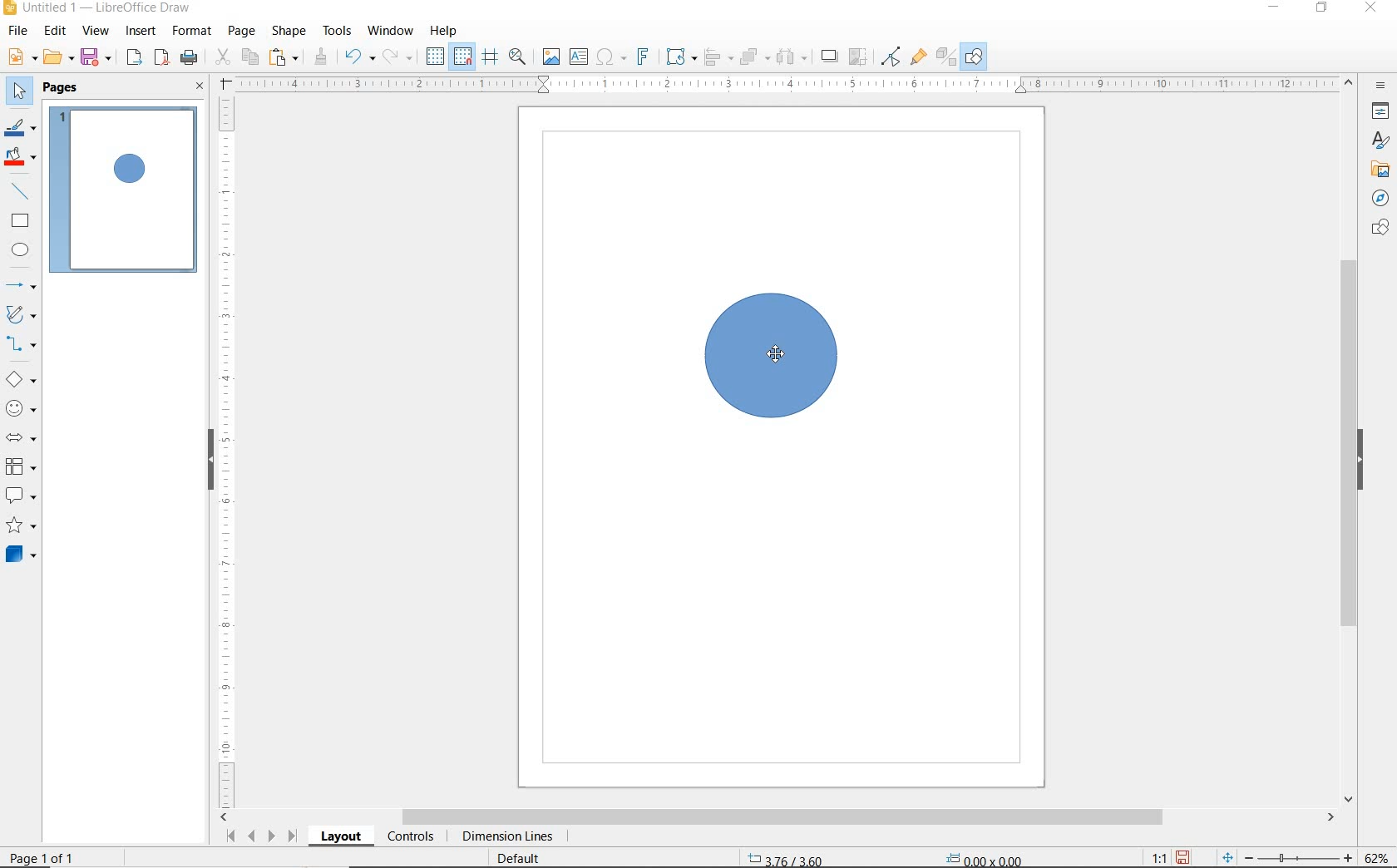  I want to click on SHAPES, so click(1383, 228).